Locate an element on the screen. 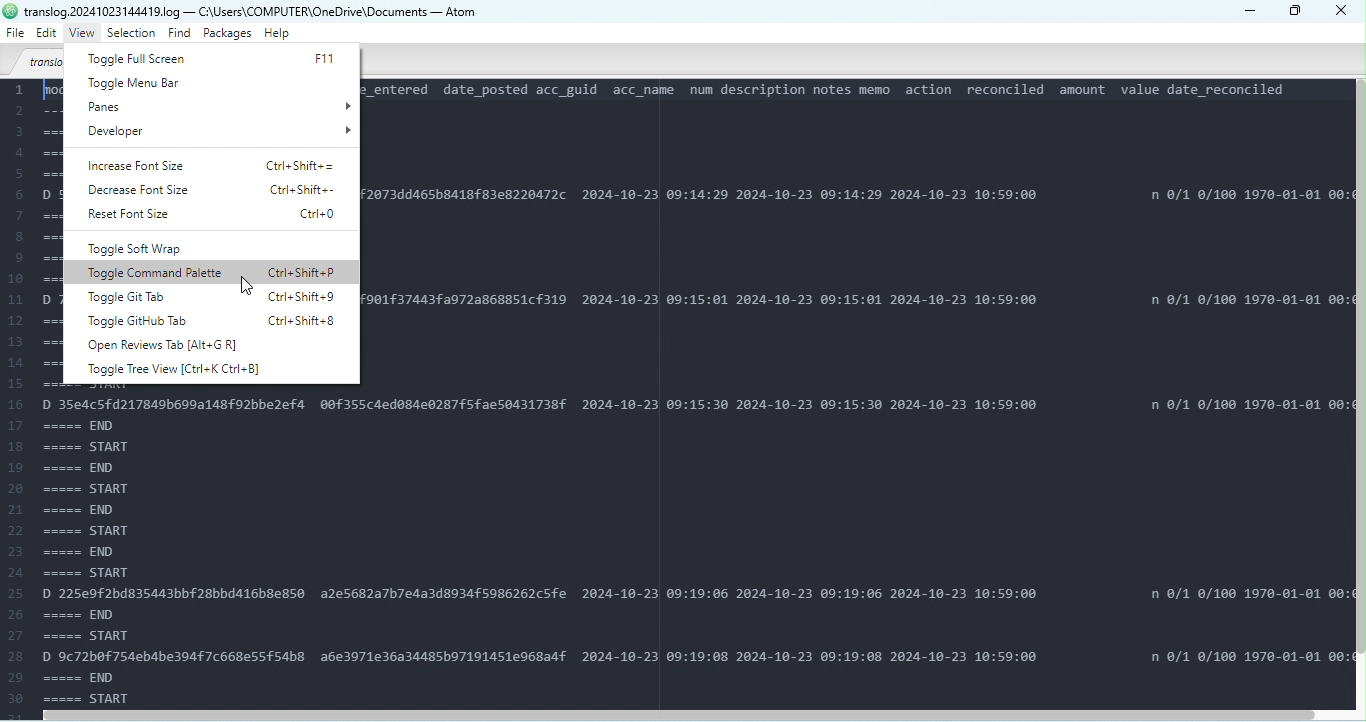  File is located at coordinates (15, 33).